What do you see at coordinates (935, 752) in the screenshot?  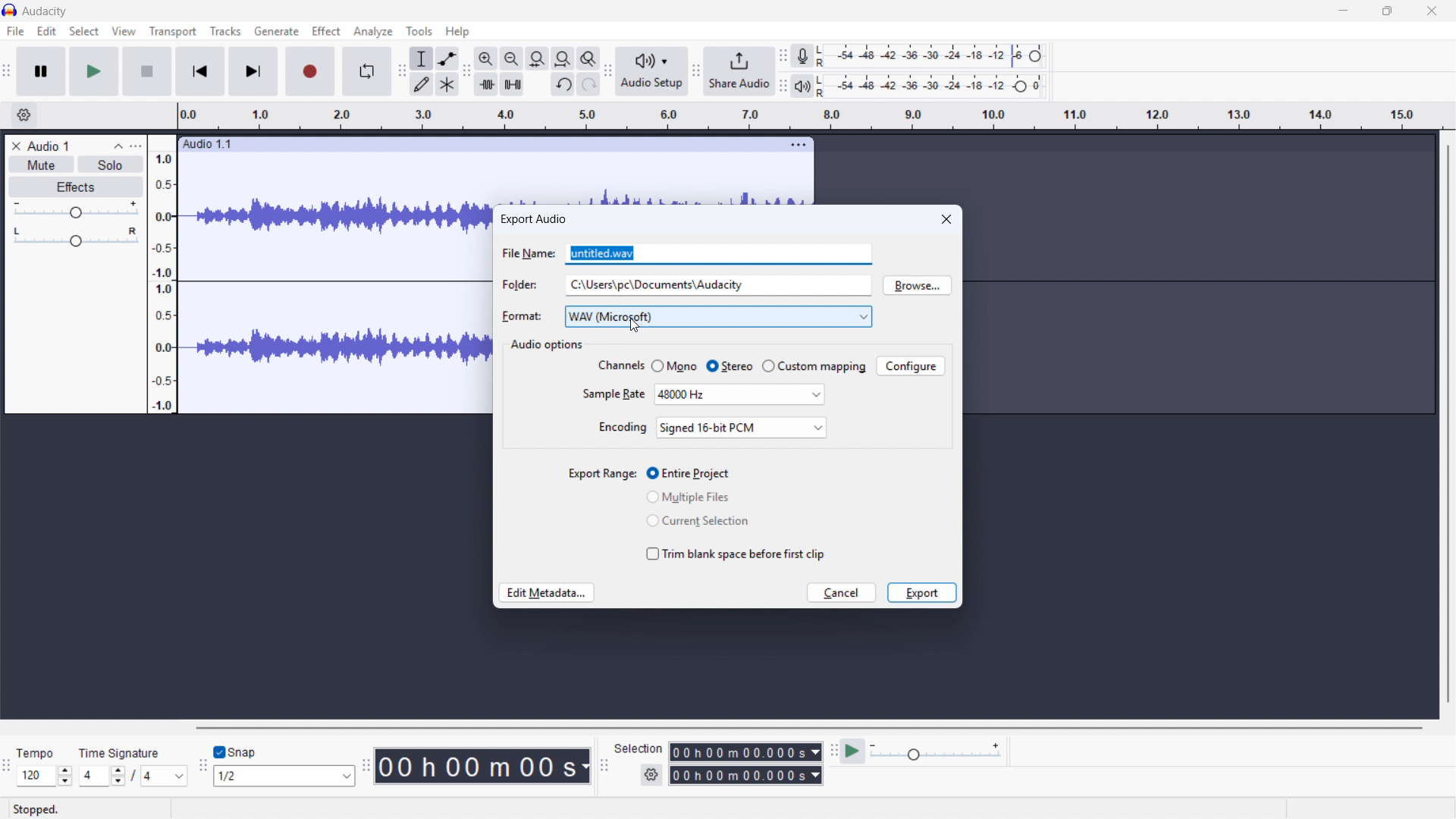 I see `Playback speed` at bounding box center [935, 752].